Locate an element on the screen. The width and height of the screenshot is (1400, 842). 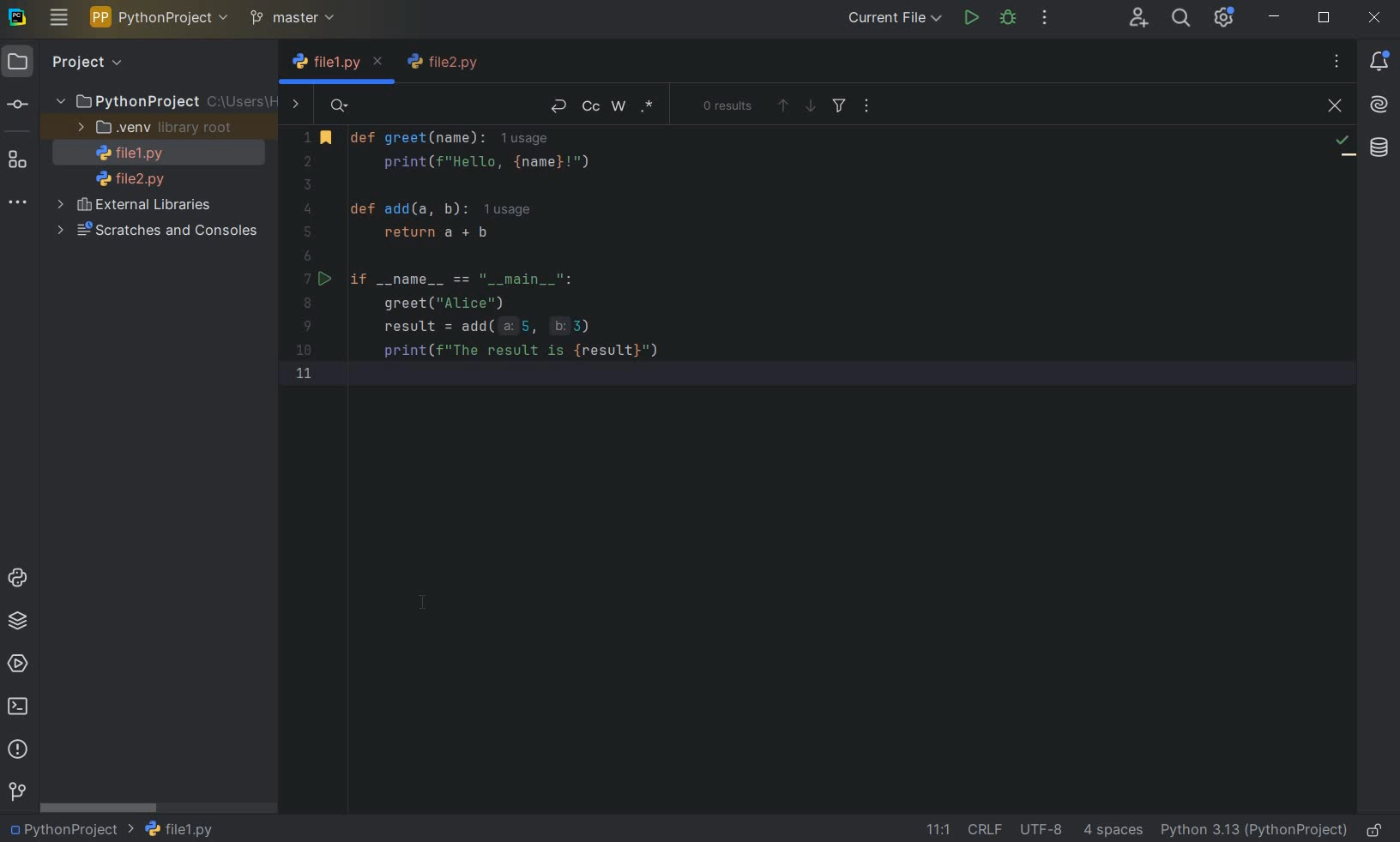
CURRENT INTERPRETER is located at coordinates (1253, 831).